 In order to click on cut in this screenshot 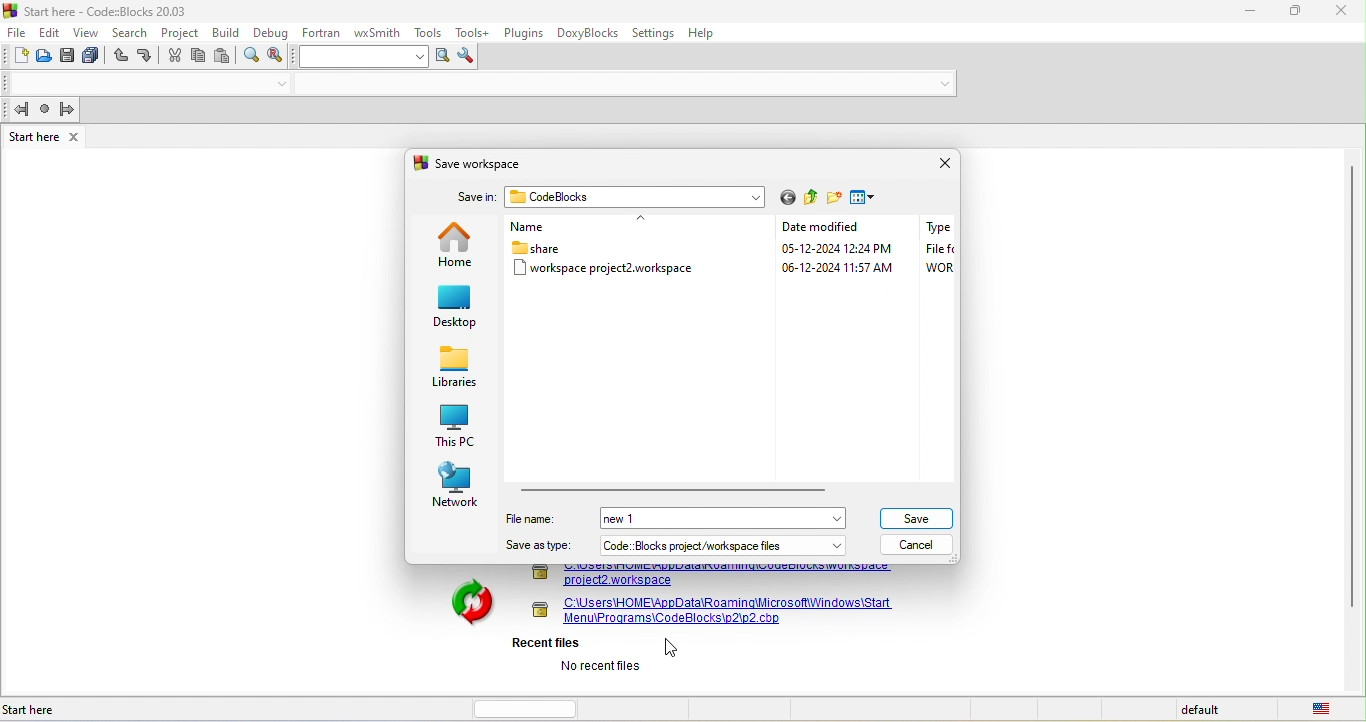, I will do `click(175, 58)`.